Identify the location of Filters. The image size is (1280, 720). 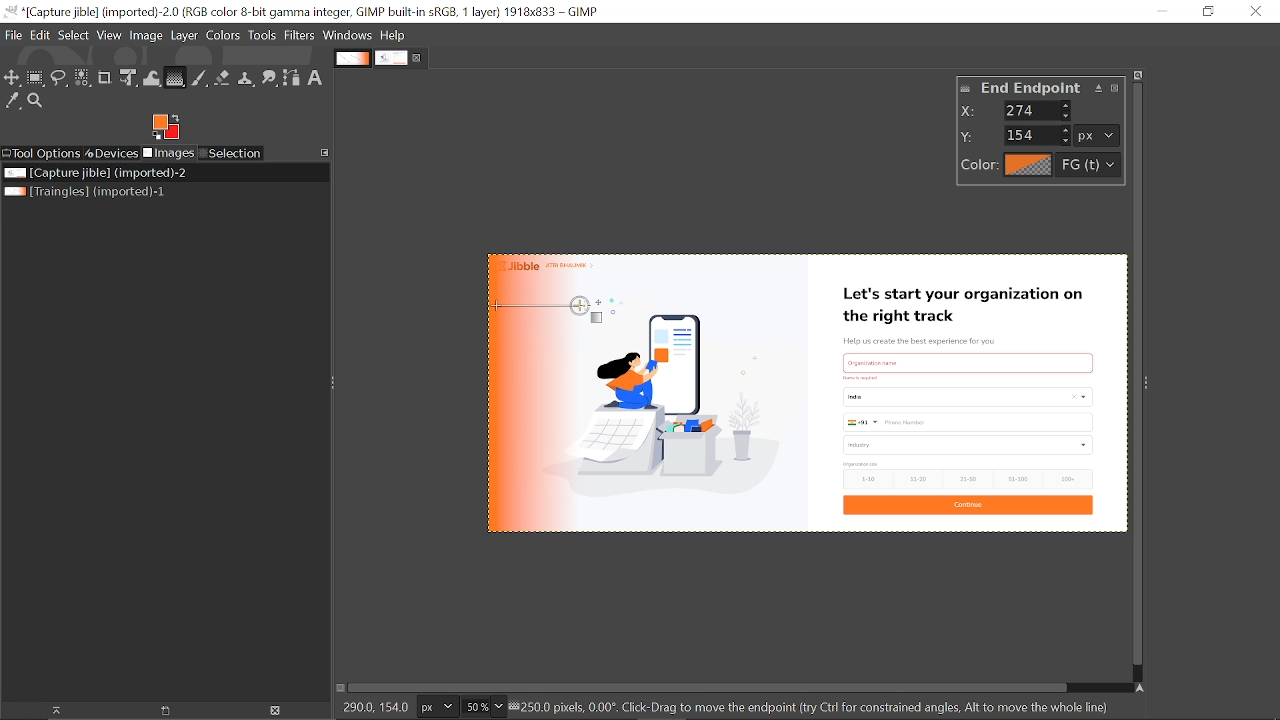
(302, 35).